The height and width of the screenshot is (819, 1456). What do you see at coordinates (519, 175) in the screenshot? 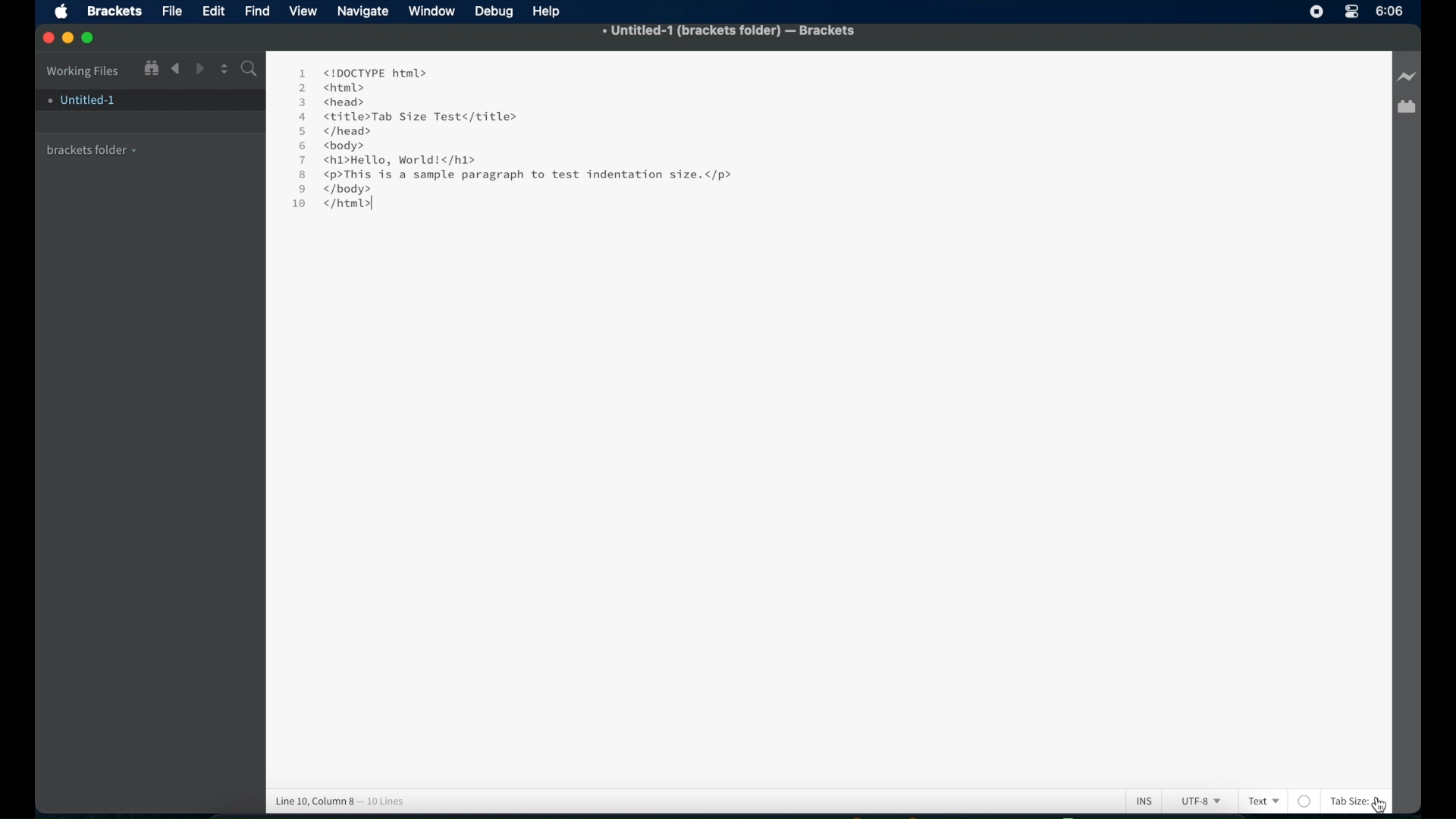
I see `8 <p>This is a sample paragraph to test indentation size.</p>` at bounding box center [519, 175].